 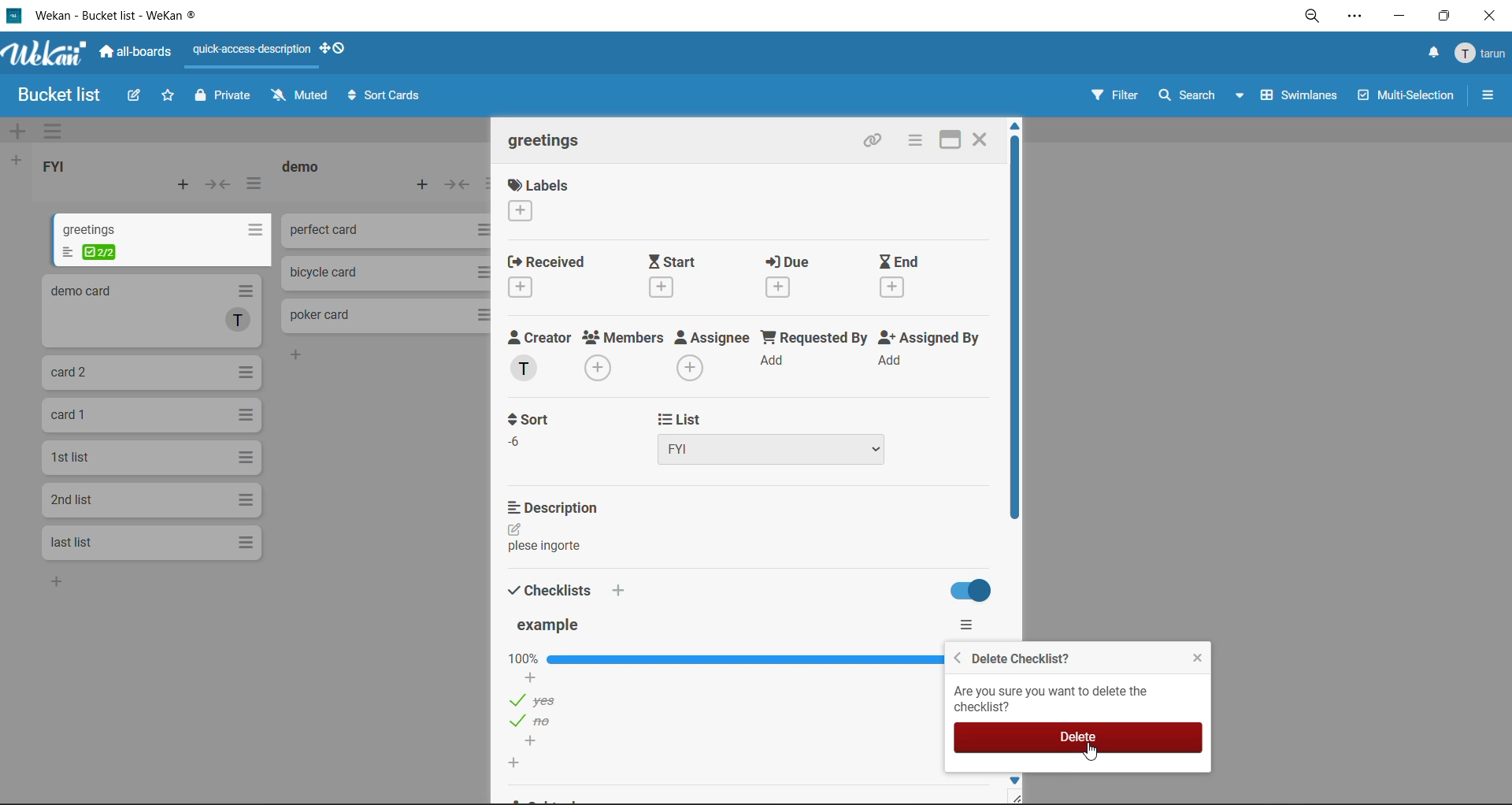 What do you see at coordinates (1016, 656) in the screenshot?
I see `delete checklist` at bounding box center [1016, 656].